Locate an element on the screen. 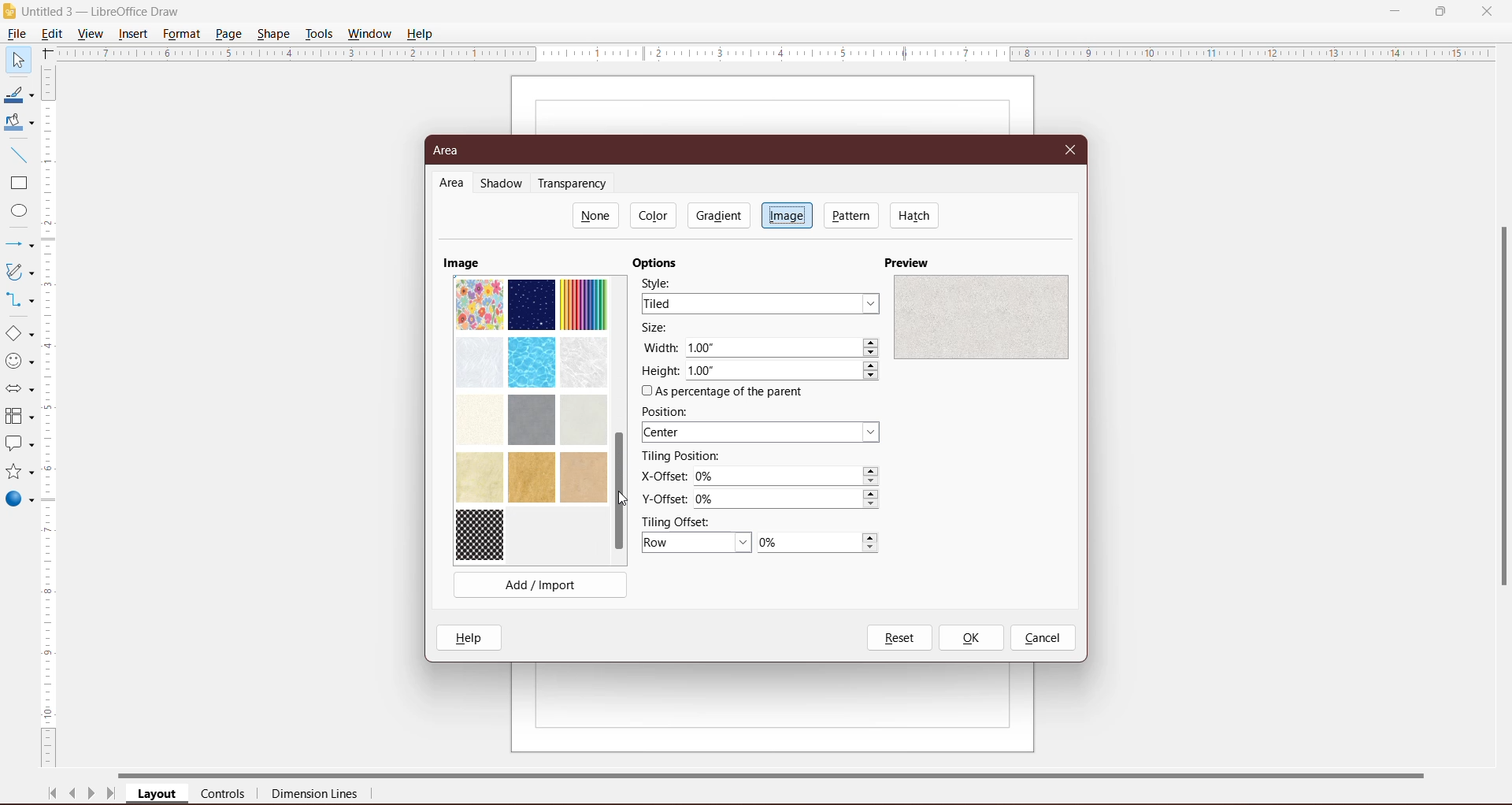 The height and width of the screenshot is (805, 1512). Line Color is located at coordinates (17, 95).